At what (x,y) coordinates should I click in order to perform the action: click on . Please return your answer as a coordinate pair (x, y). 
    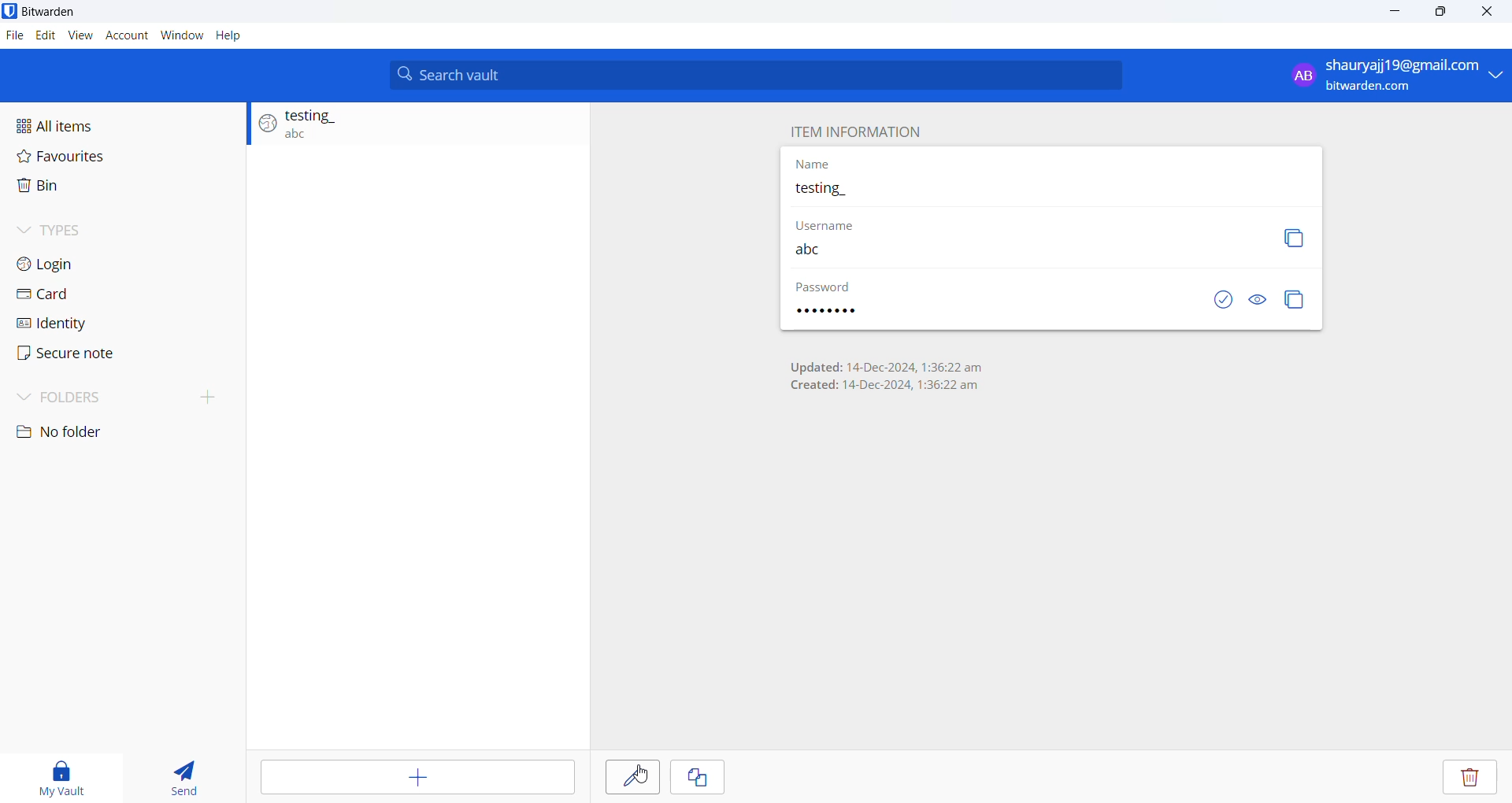
    Looking at the image, I should click on (839, 312).